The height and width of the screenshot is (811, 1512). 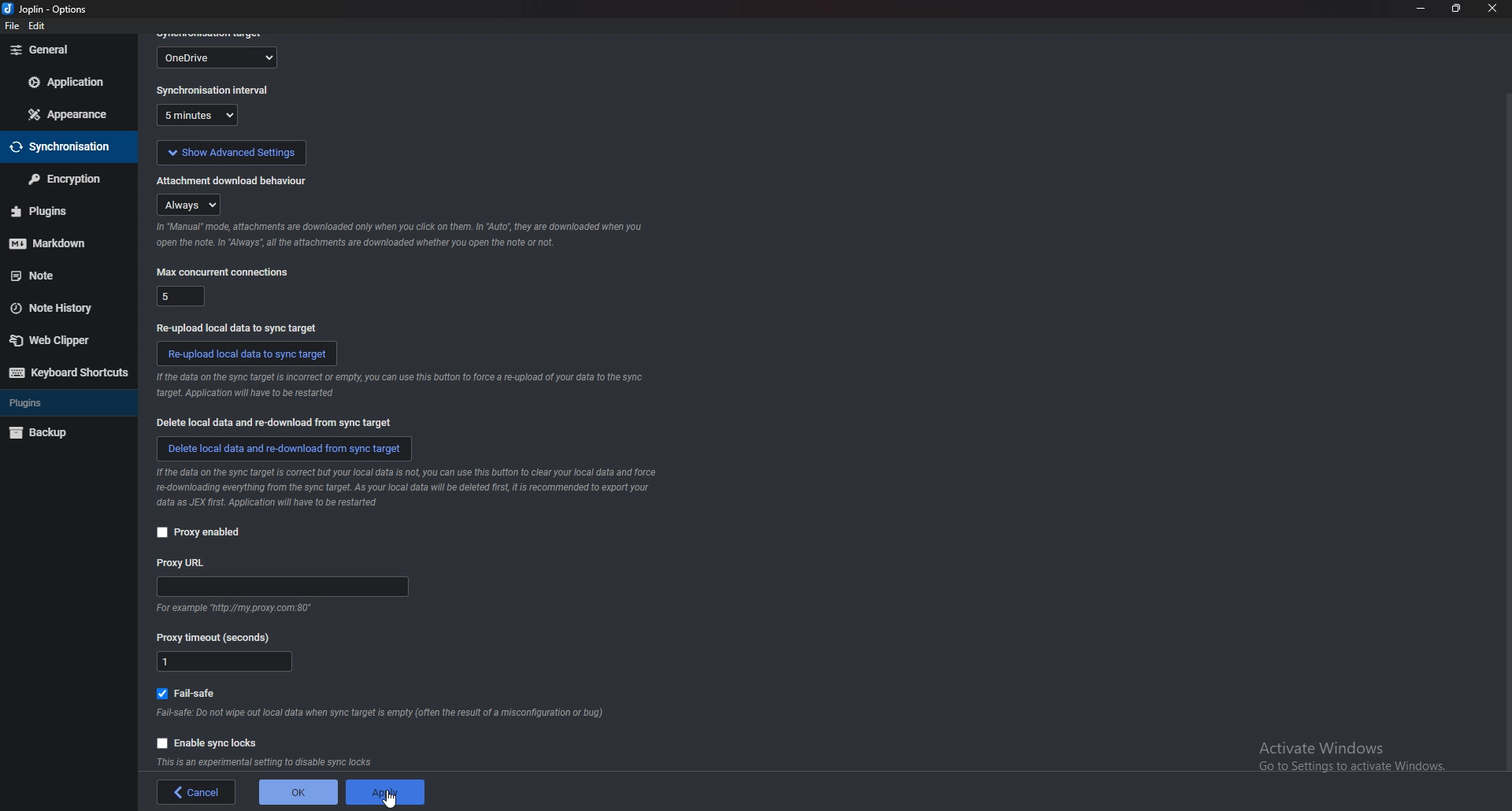 I want to click on encryption, so click(x=63, y=180).